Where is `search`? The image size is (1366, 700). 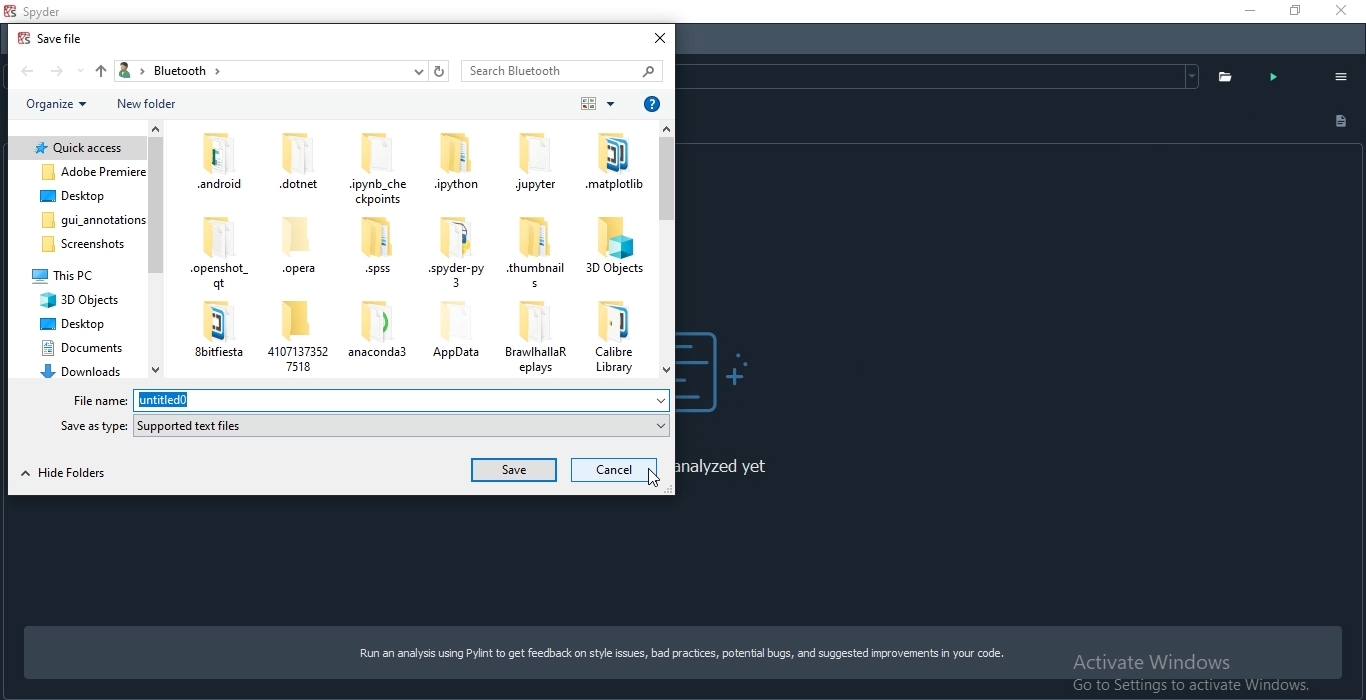 search is located at coordinates (559, 71).